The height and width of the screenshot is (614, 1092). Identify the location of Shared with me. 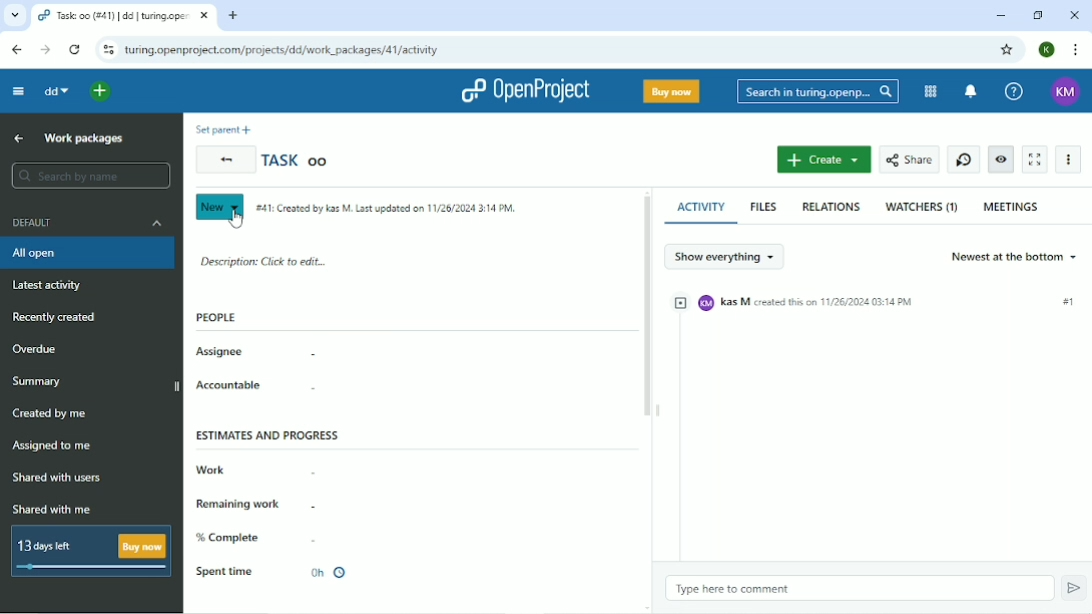
(55, 510).